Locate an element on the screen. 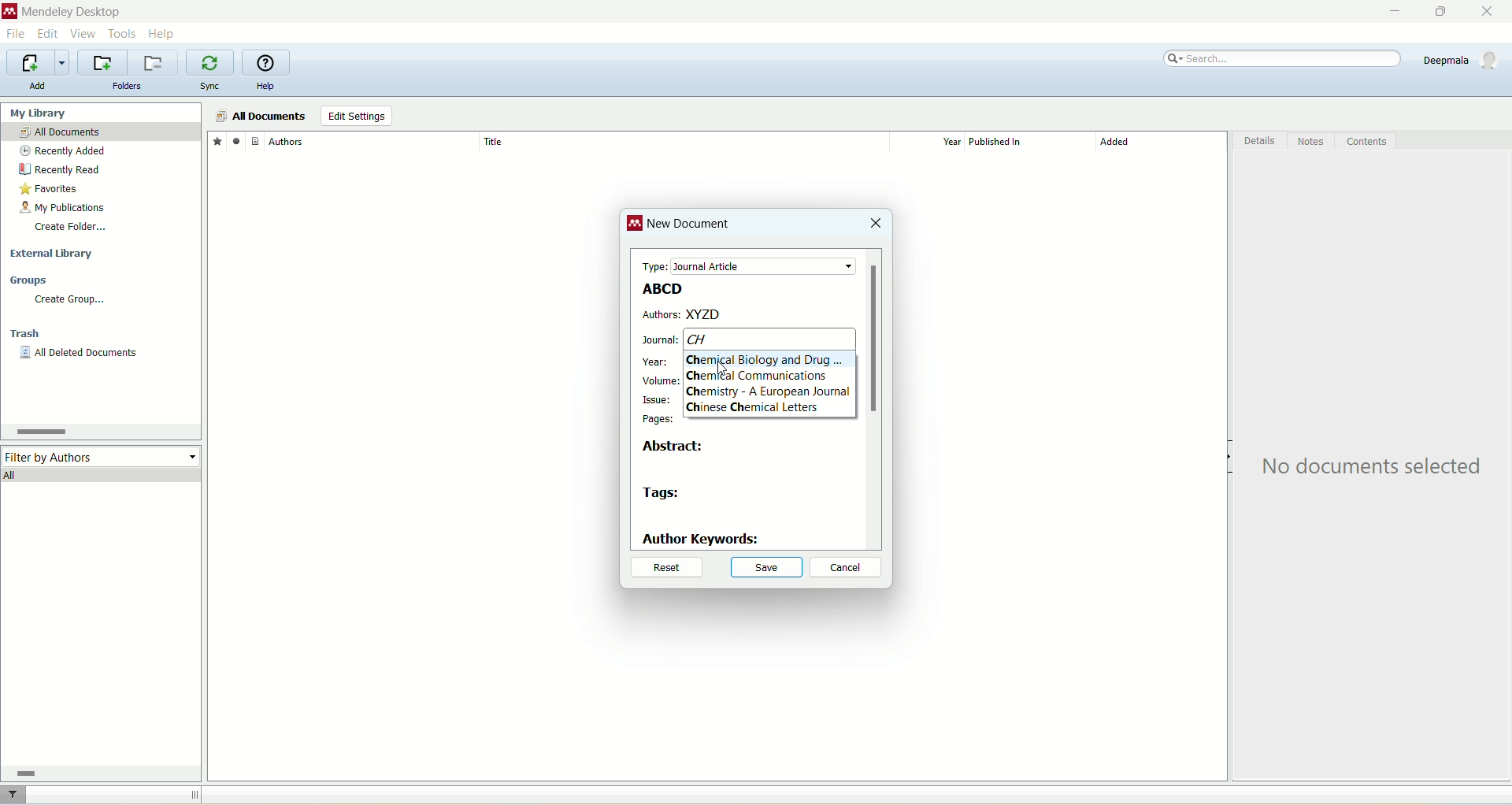  all documents is located at coordinates (101, 132).